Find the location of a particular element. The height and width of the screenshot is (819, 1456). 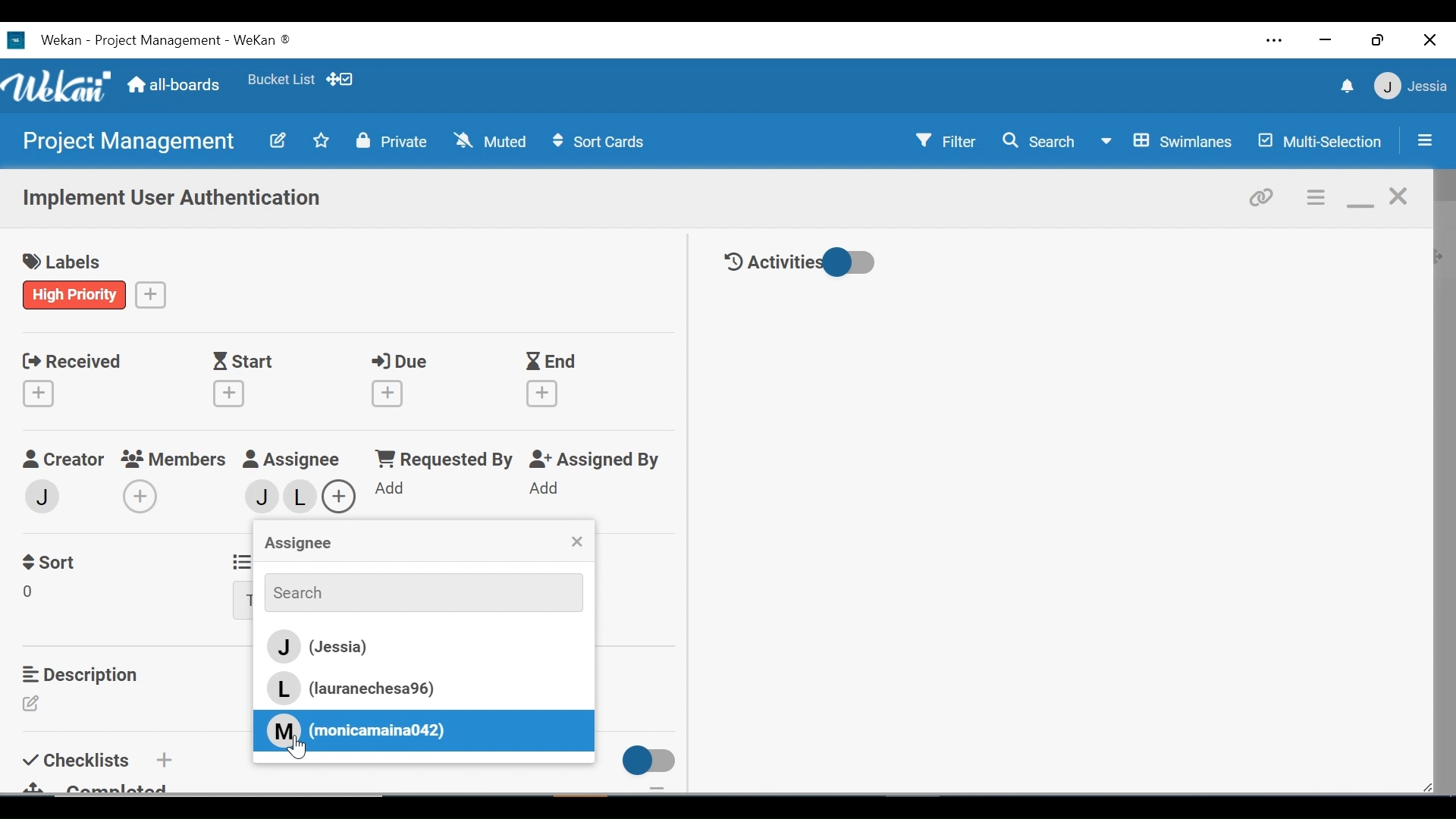

Requested By is located at coordinates (435, 460).